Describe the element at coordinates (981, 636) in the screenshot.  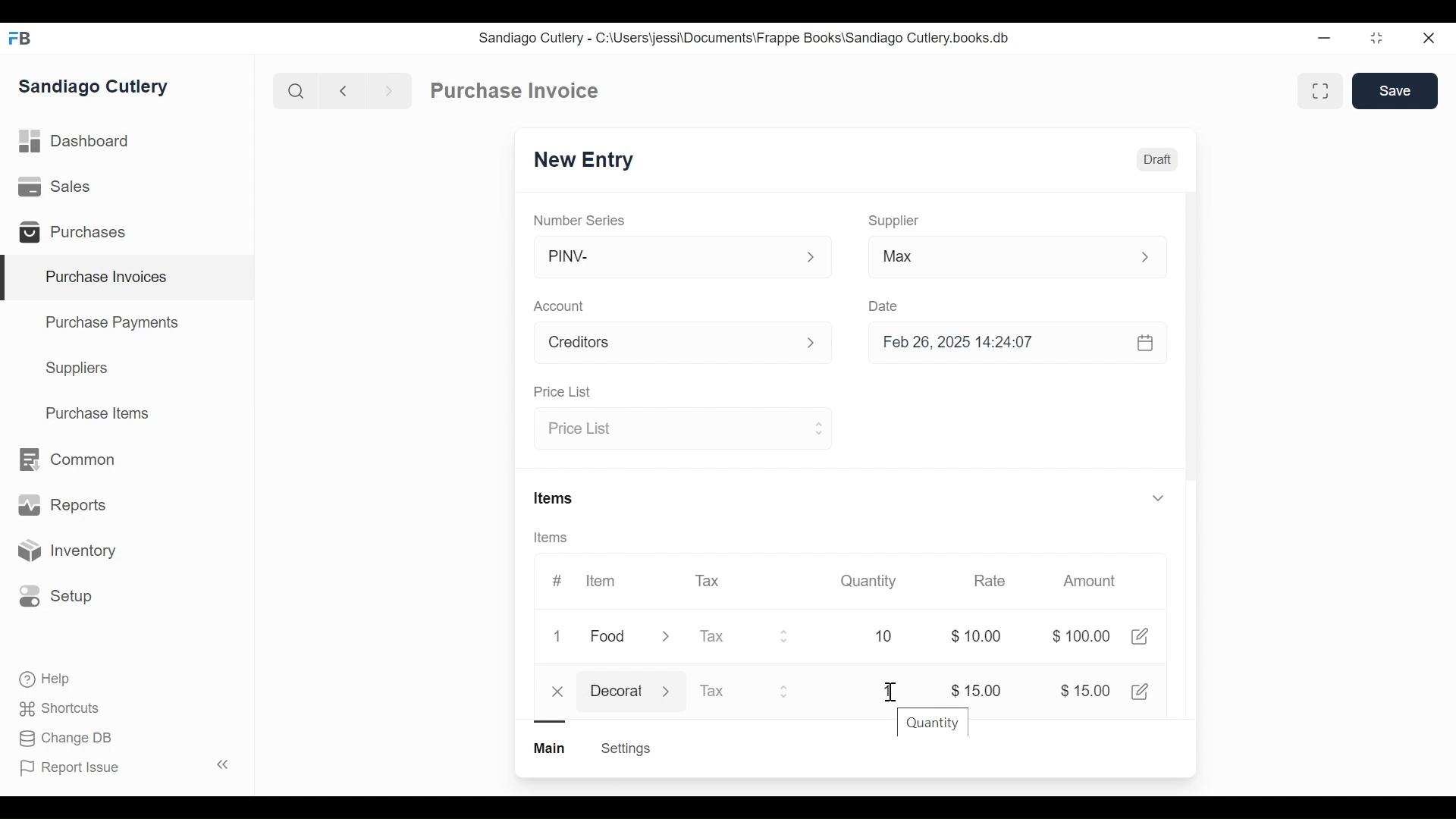
I see `$0.00` at that location.